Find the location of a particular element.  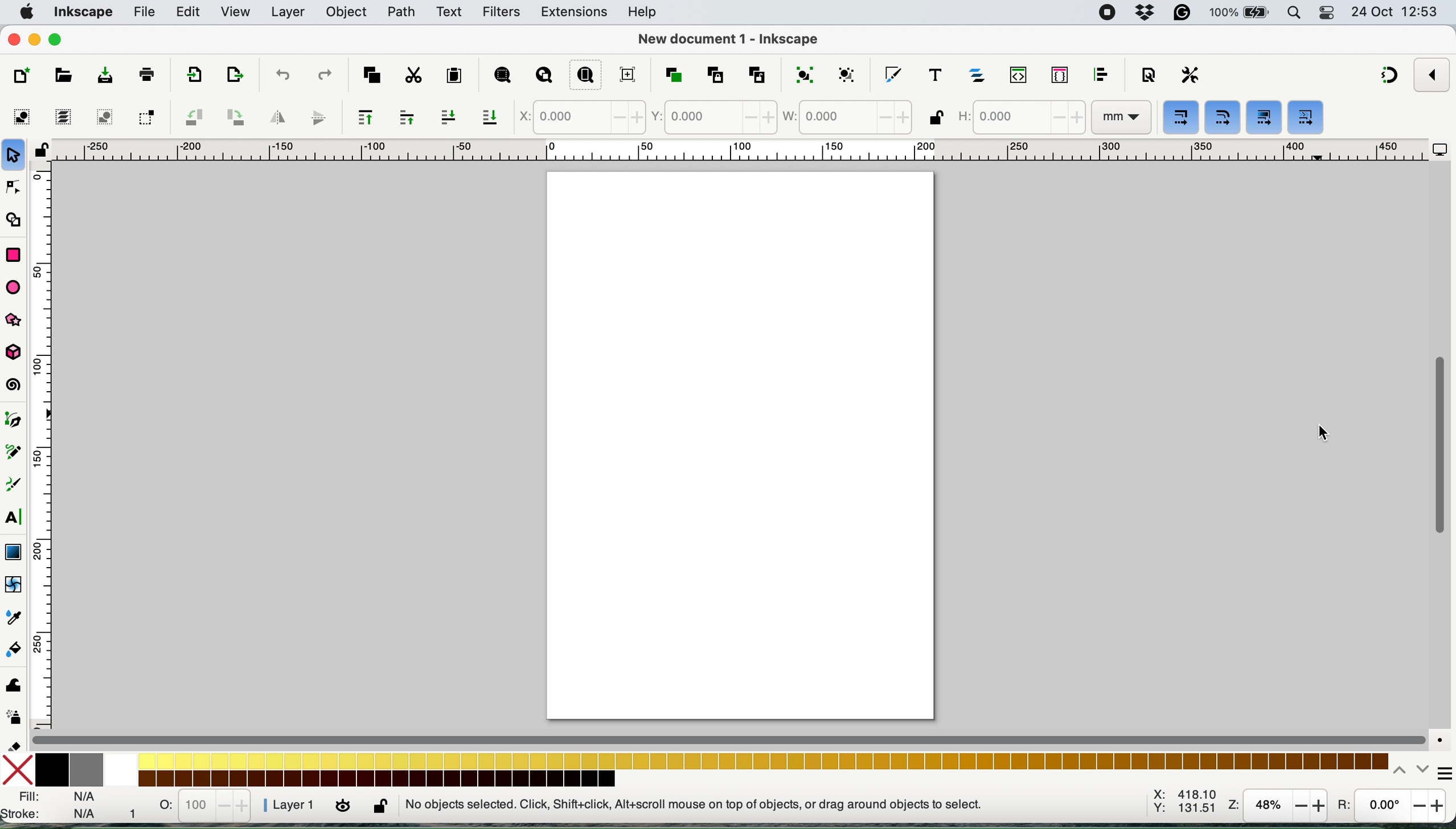

width is located at coordinates (846, 120).